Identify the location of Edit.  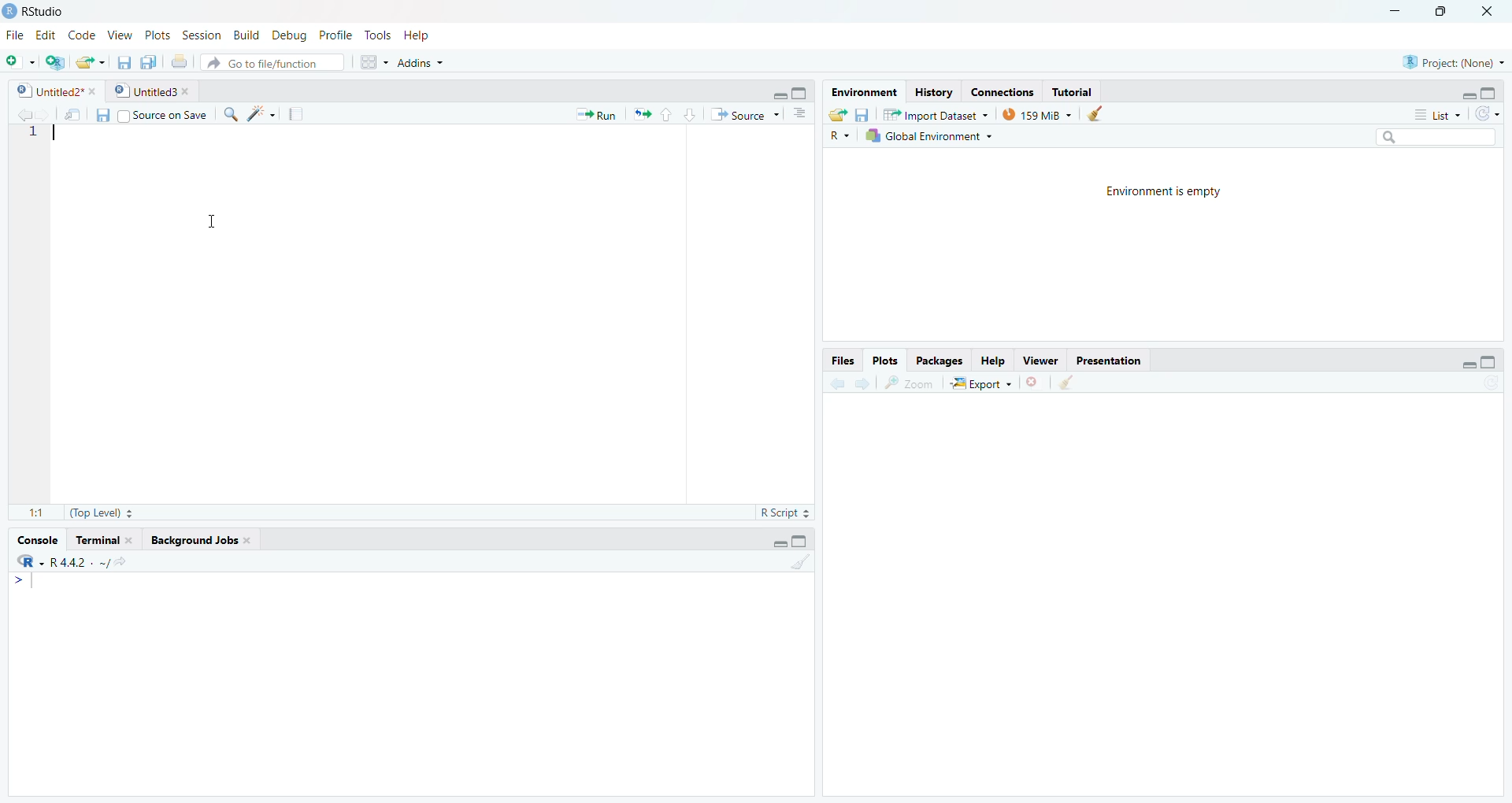
(47, 35).